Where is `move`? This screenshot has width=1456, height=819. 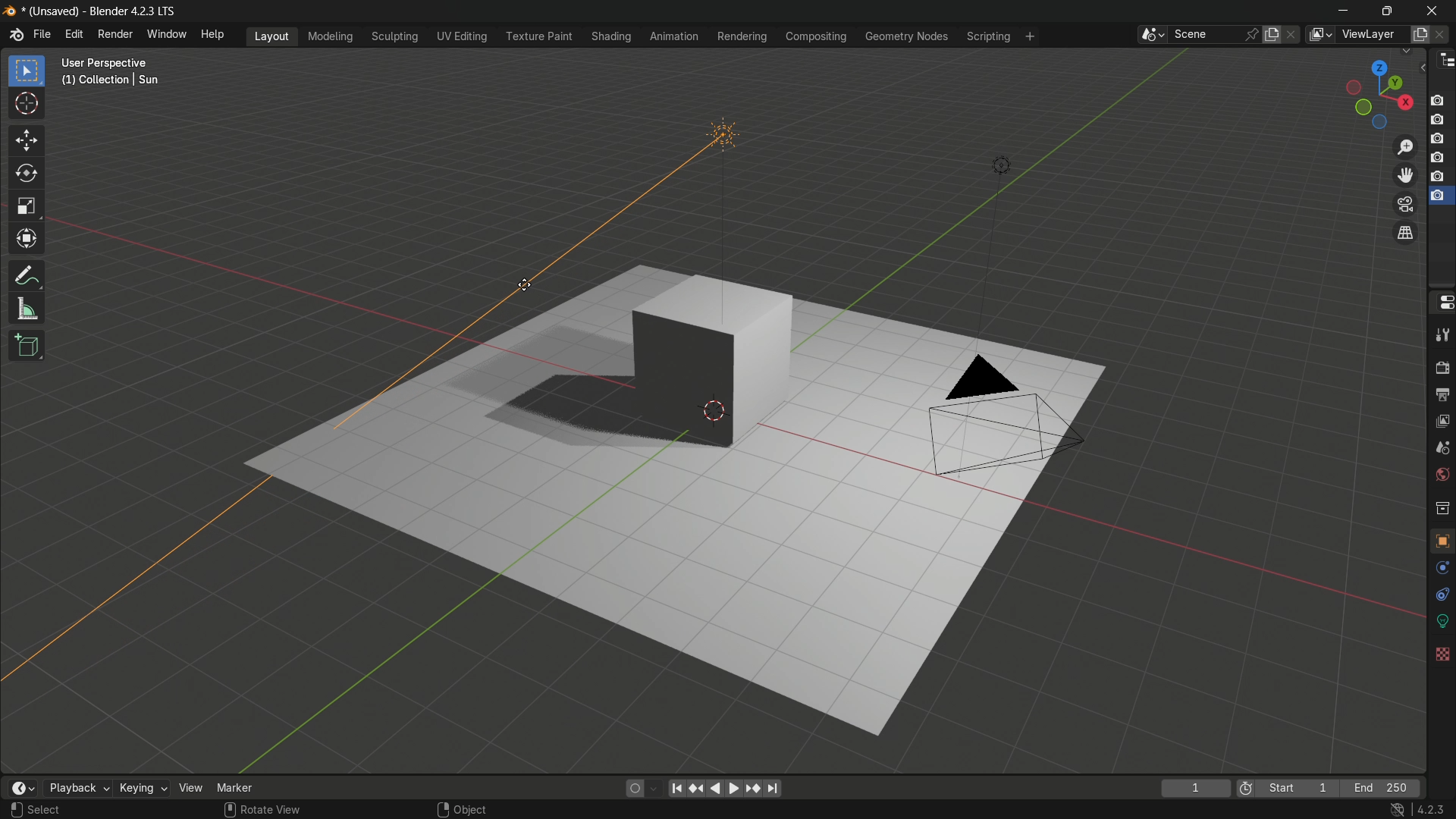 move is located at coordinates (28, 142).